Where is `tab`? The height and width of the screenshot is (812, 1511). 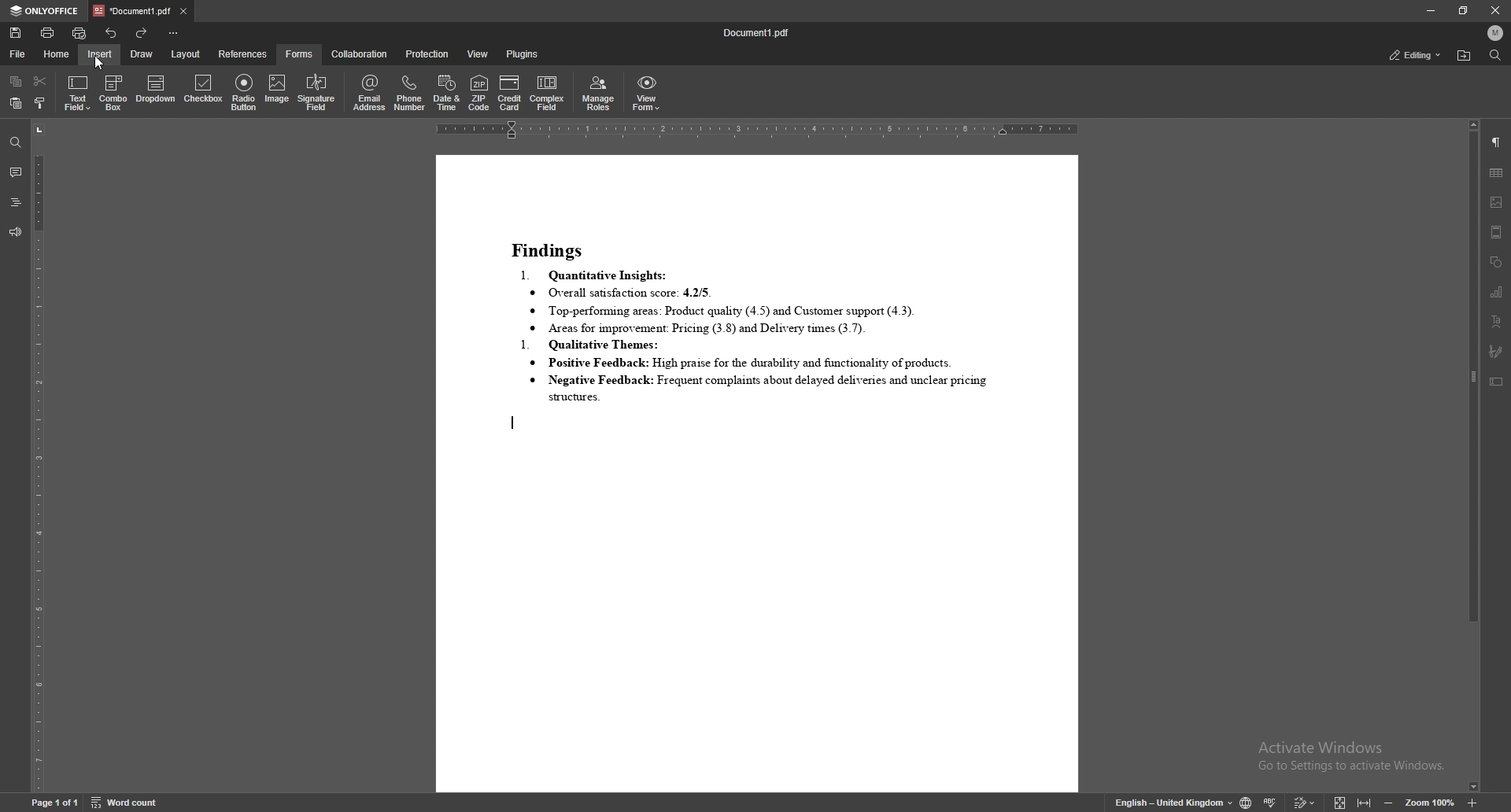 tab is located at coordinates (131, 10).